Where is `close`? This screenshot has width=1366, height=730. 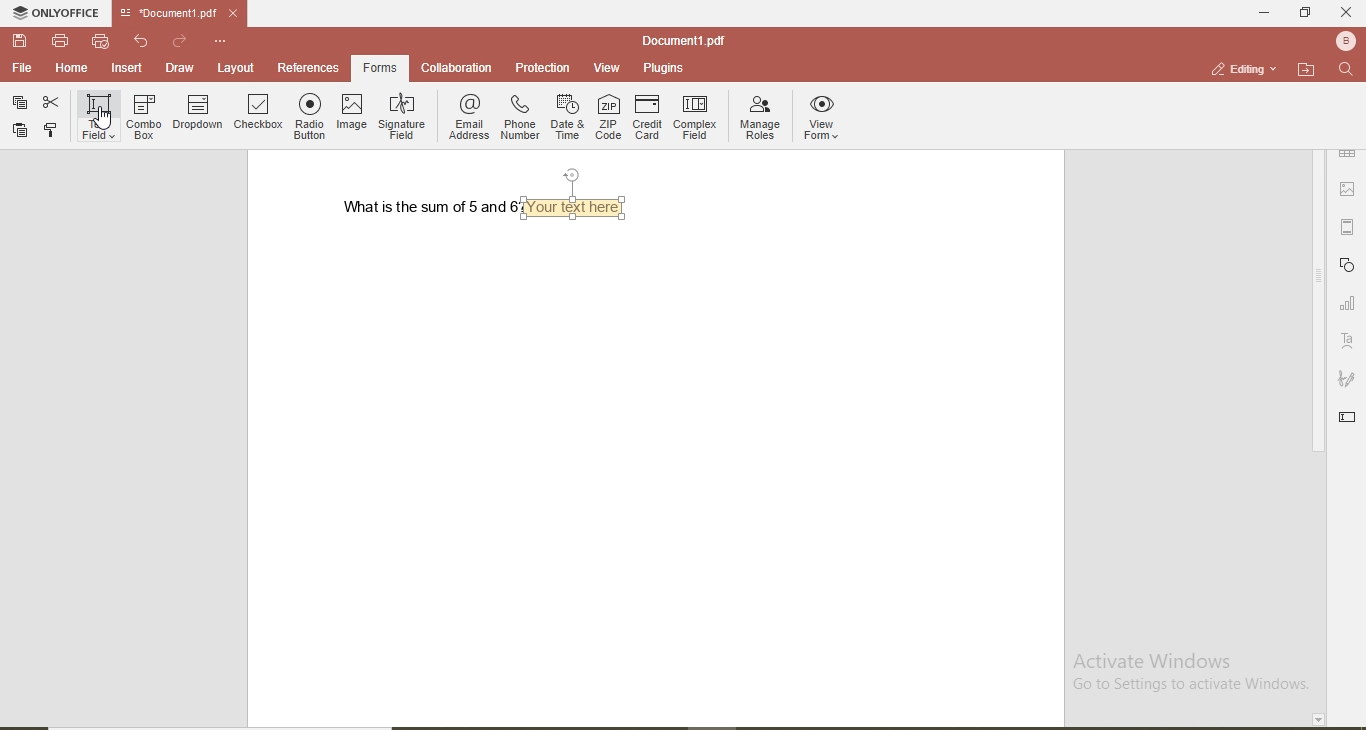
close is located at coordinates (236, 13).